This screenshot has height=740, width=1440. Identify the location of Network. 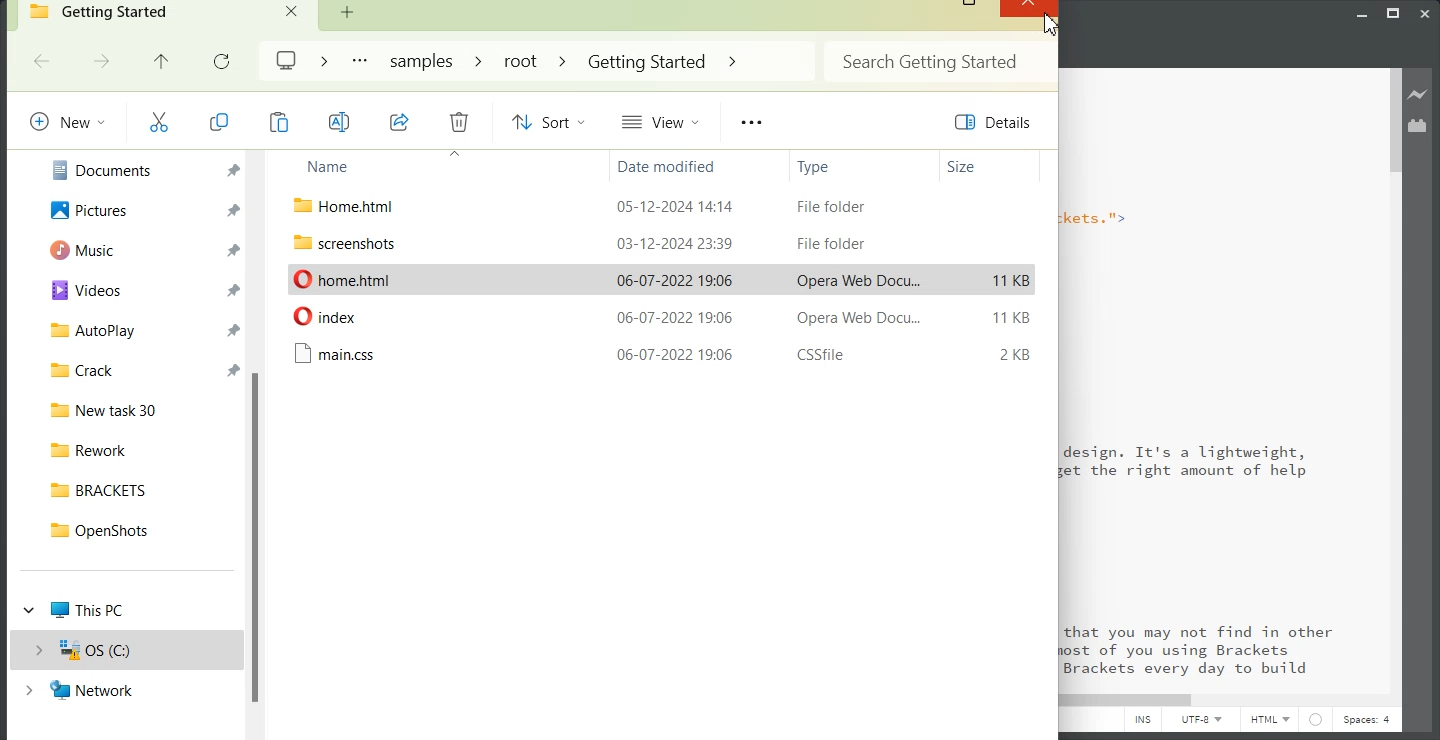
(128, 690).